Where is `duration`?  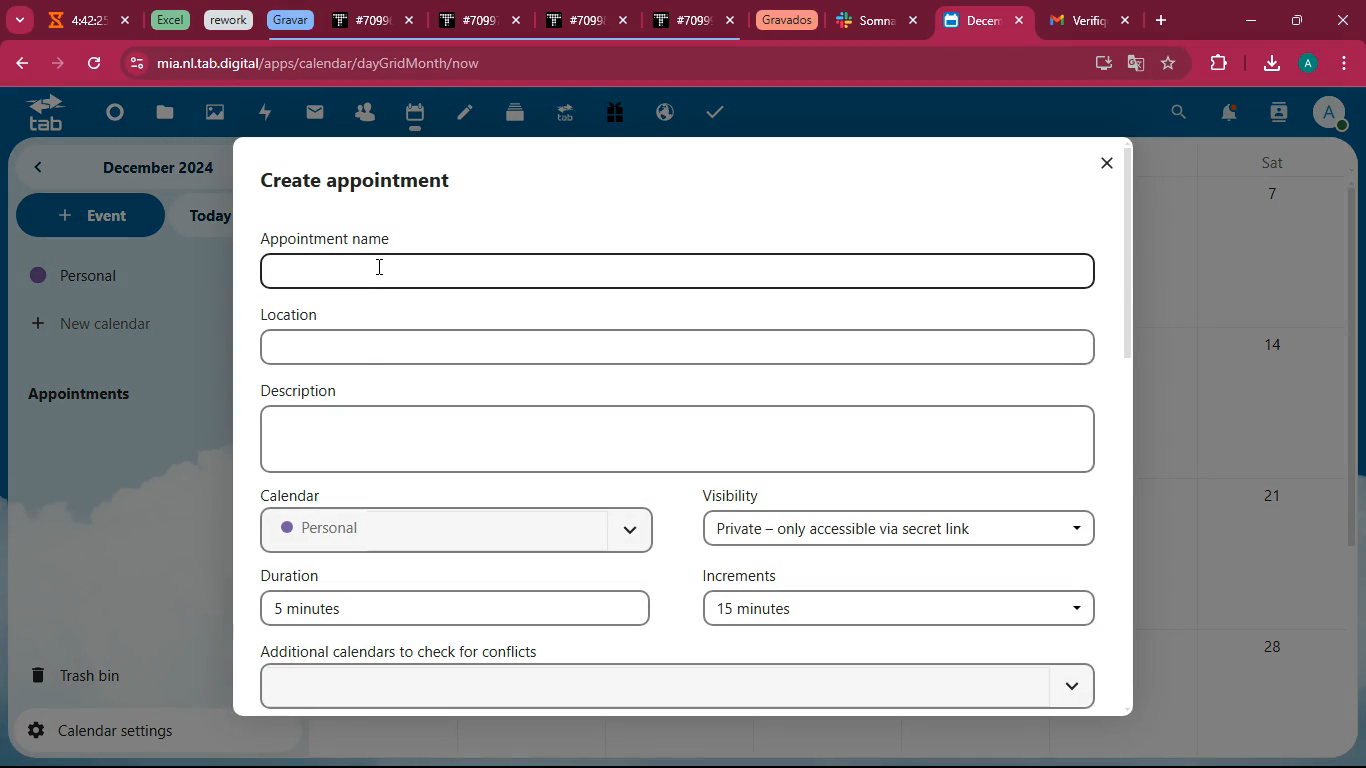
duration is located at coordinates (296, 574).